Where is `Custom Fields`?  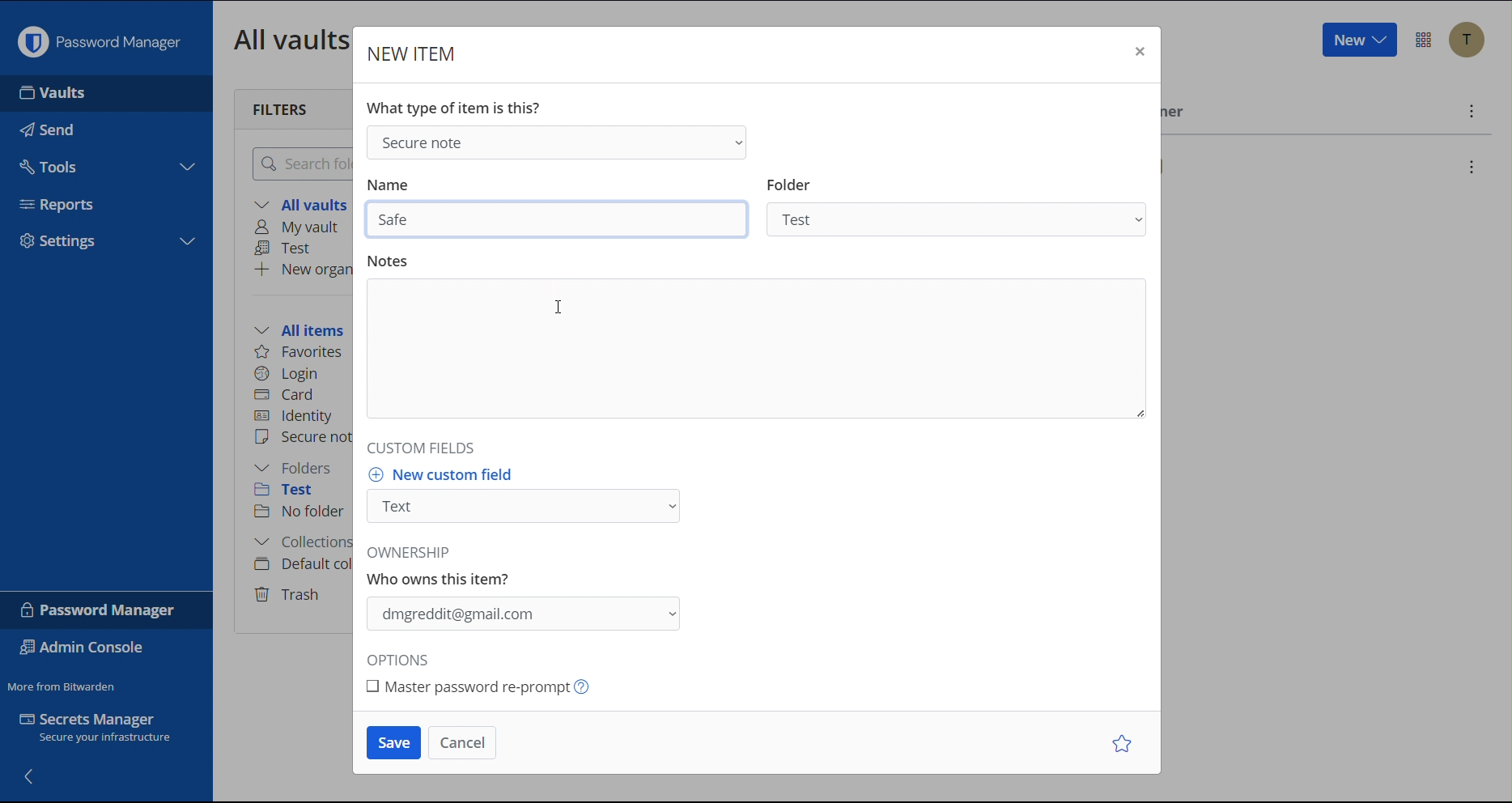 Custom Fields is located at coordinates (417, 447).